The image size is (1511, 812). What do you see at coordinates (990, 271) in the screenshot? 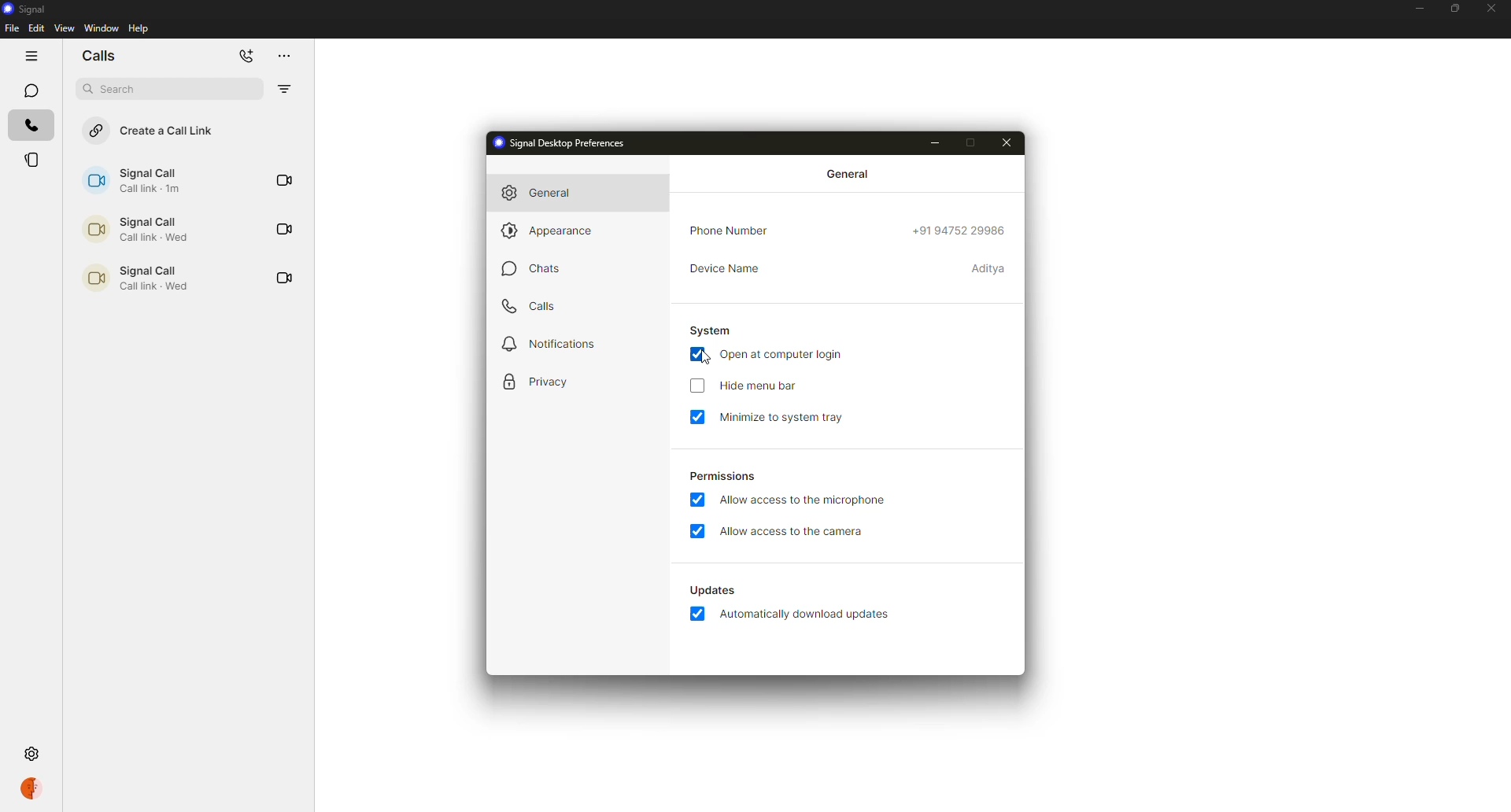
I see `device name` at bounding box center [990, 271].